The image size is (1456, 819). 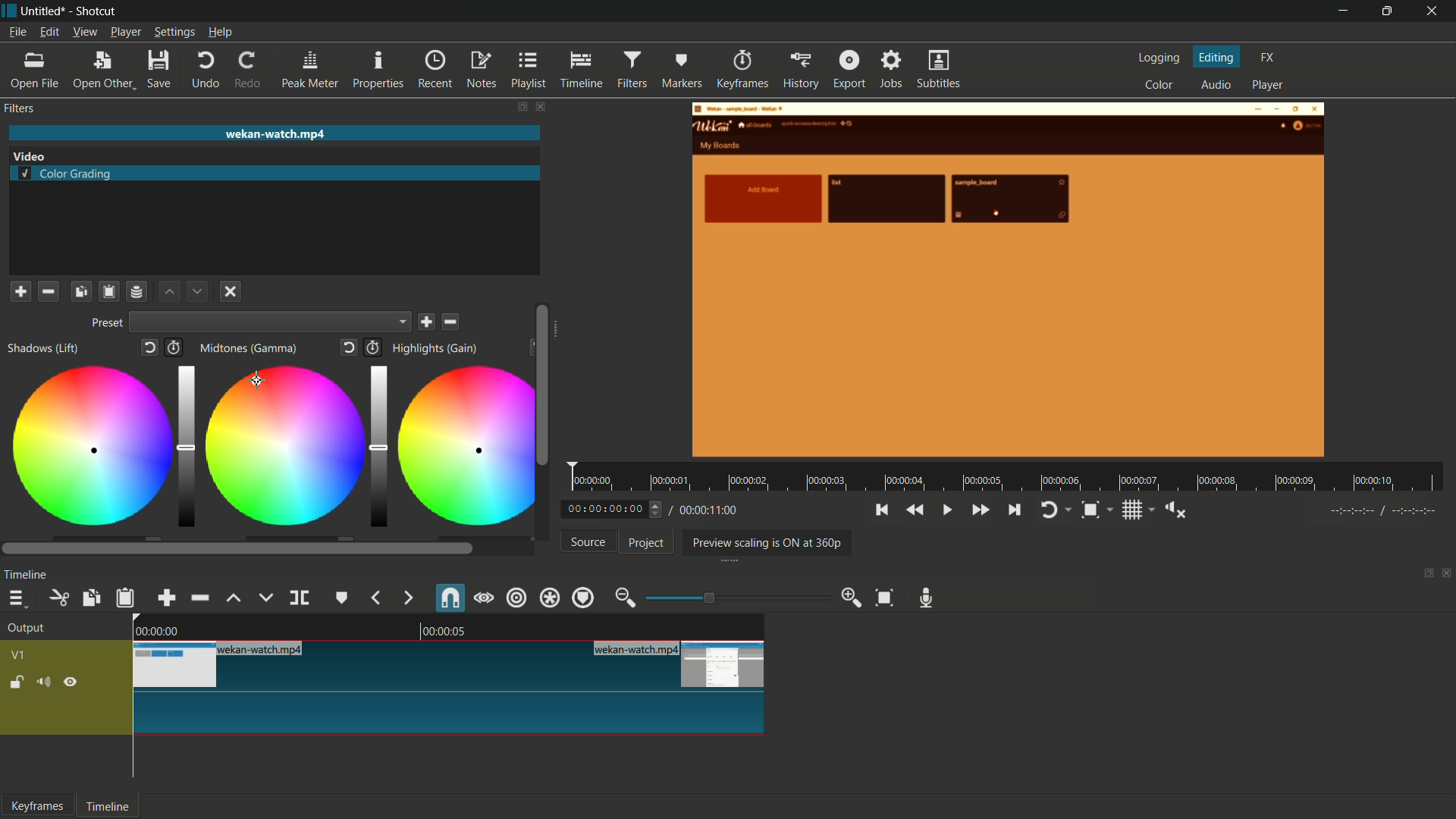 What do you see at coordinates (522, 107) in the screenshot?
I see `change layout` at bounding box center [522, 107].